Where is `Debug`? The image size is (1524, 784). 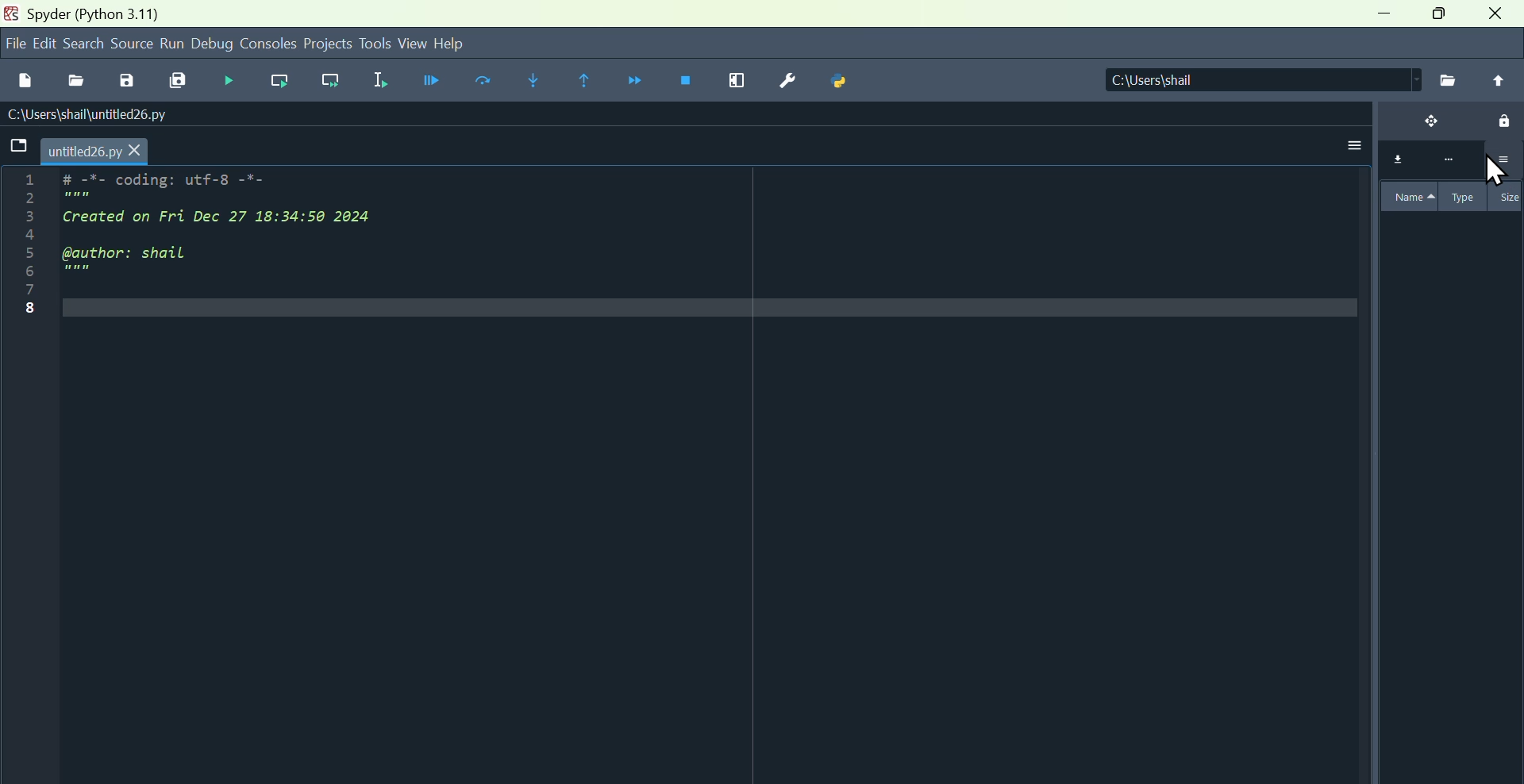
Debug is located at coordinates (226, 80).